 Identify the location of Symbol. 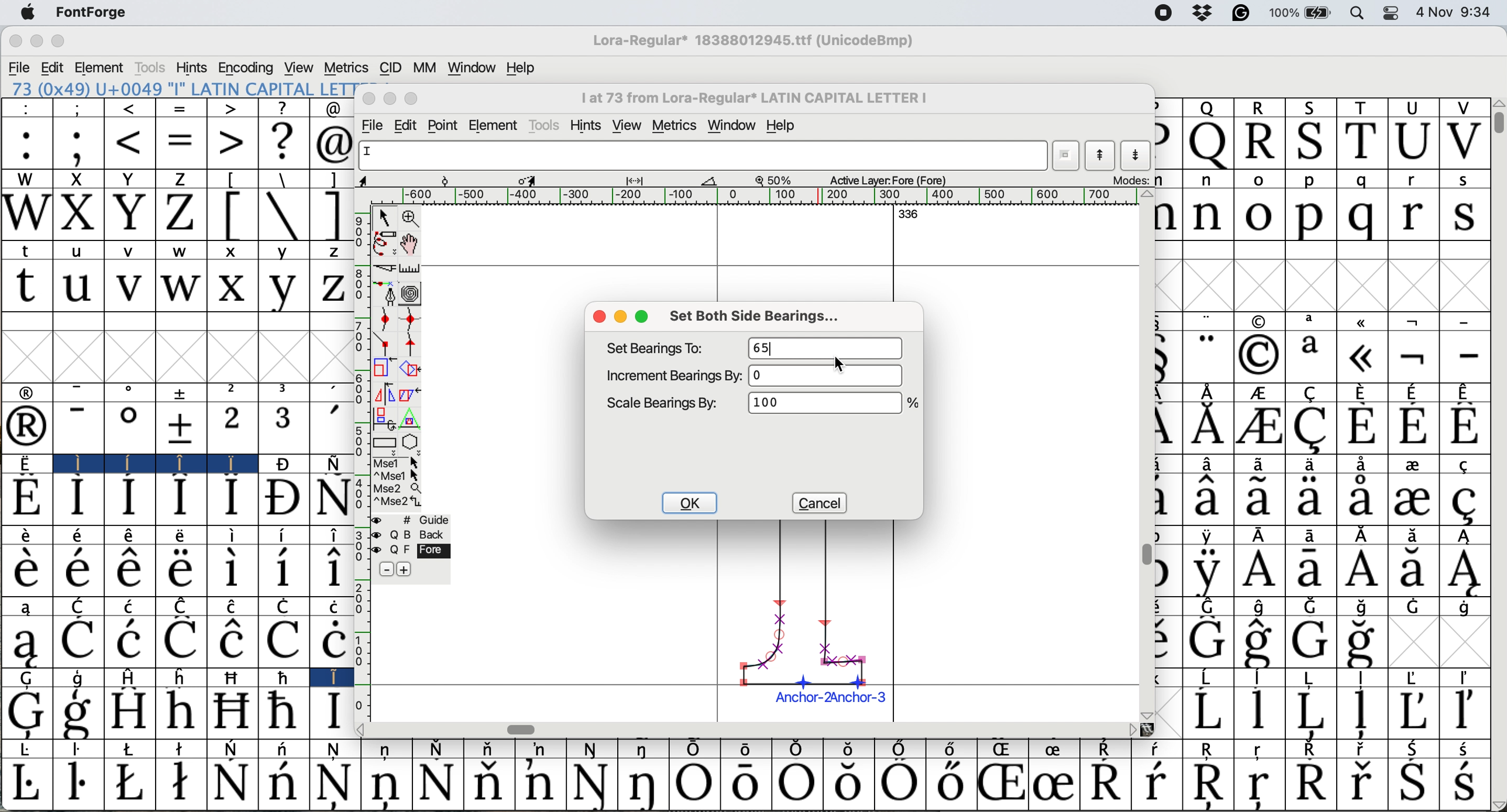
(1363, 390).